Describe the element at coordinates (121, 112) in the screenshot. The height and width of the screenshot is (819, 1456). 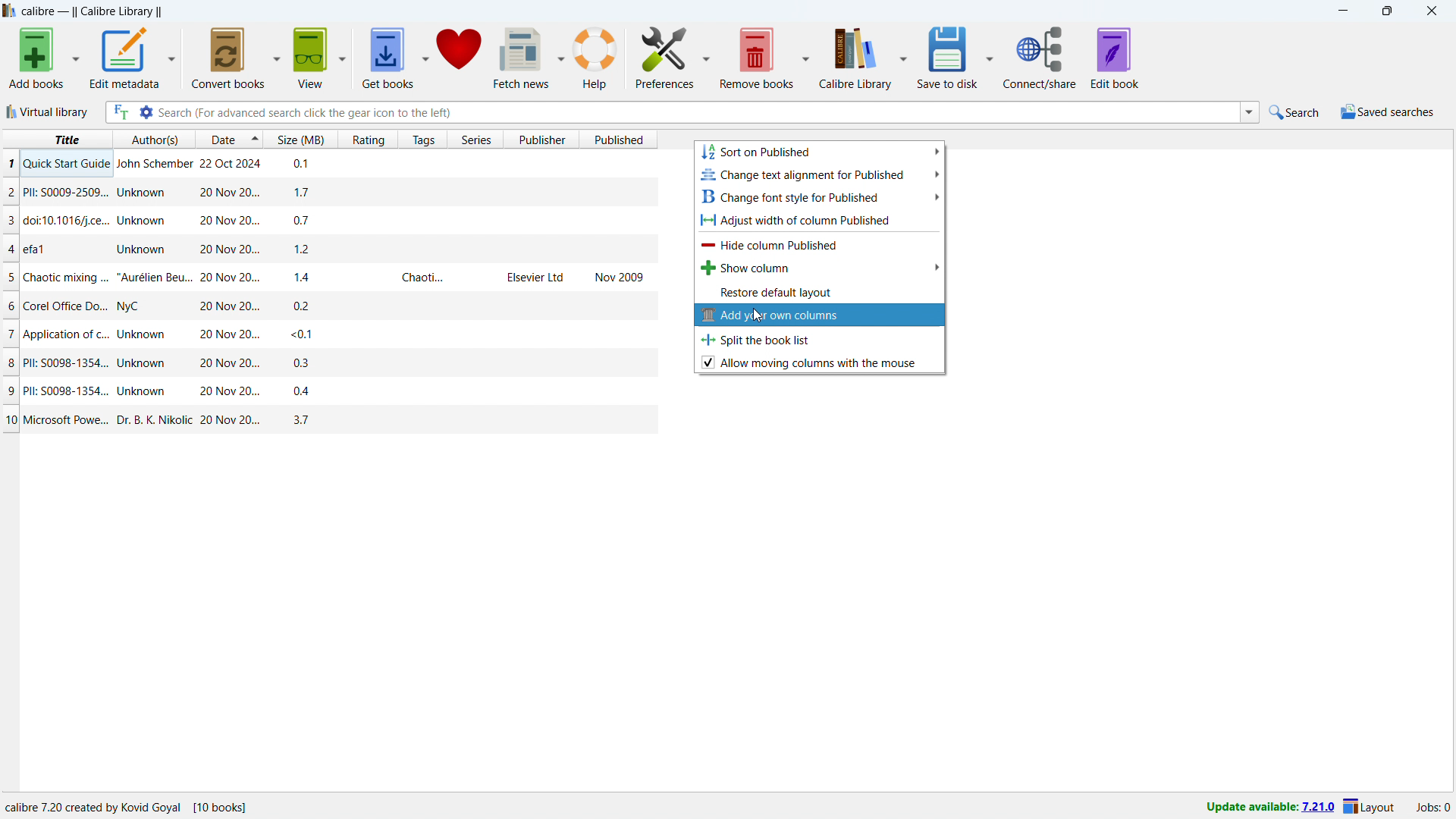
I see `full text search` at that location.